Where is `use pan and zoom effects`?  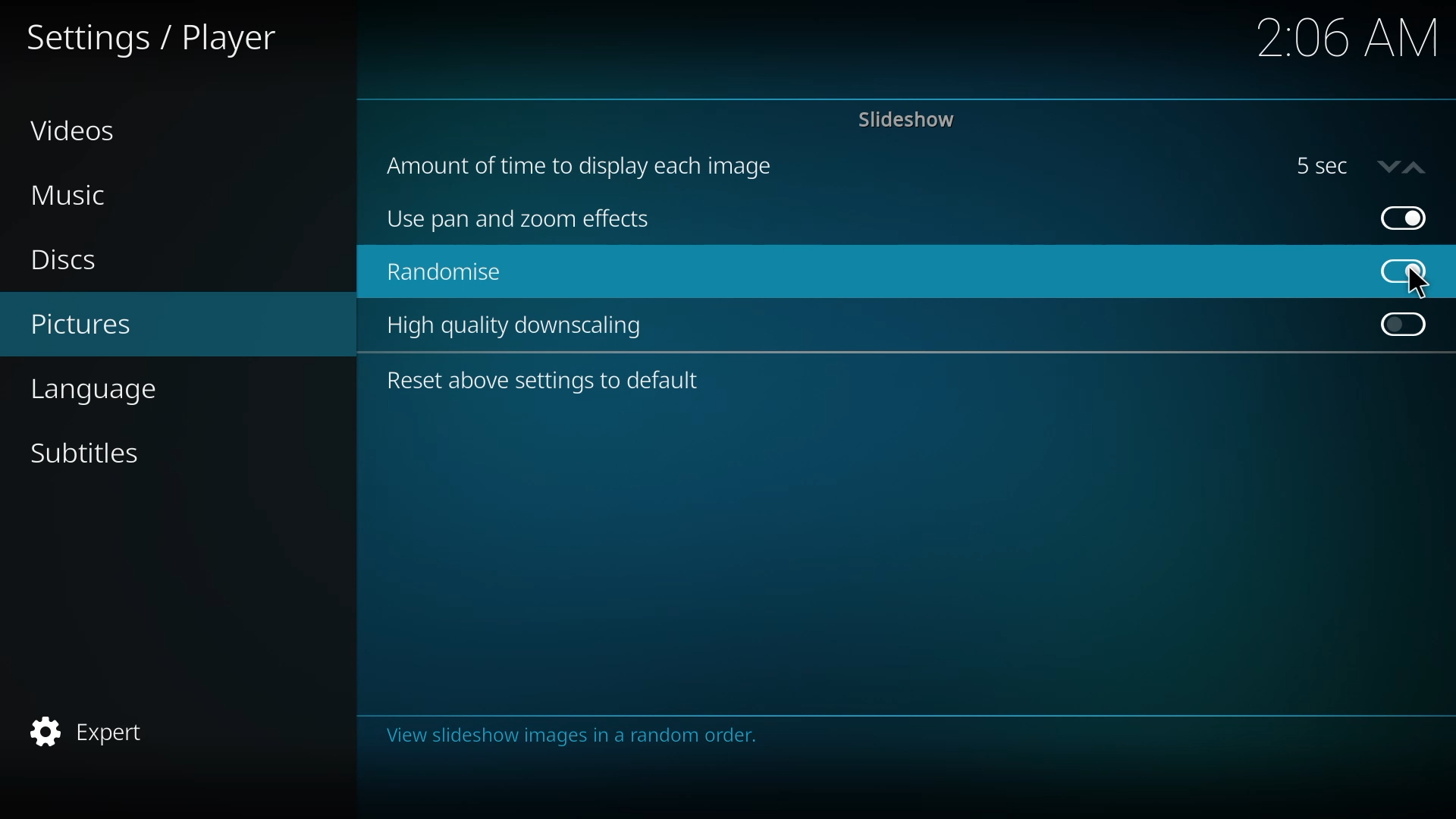 use pan and zoom effects is located at coordinates (519, 220).